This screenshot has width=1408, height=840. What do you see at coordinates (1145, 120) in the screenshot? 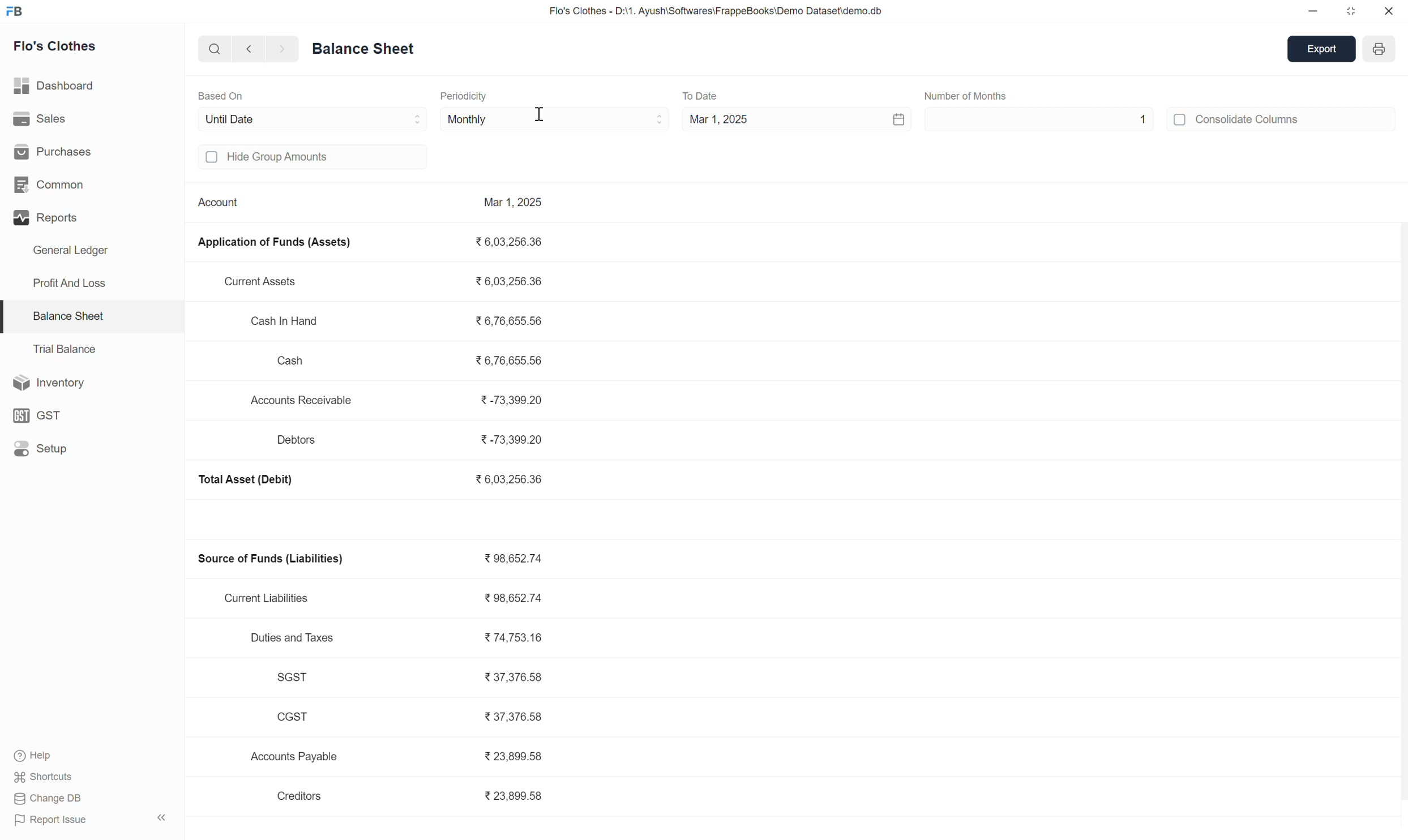
I see `1` at bounding box center [1145, 120].